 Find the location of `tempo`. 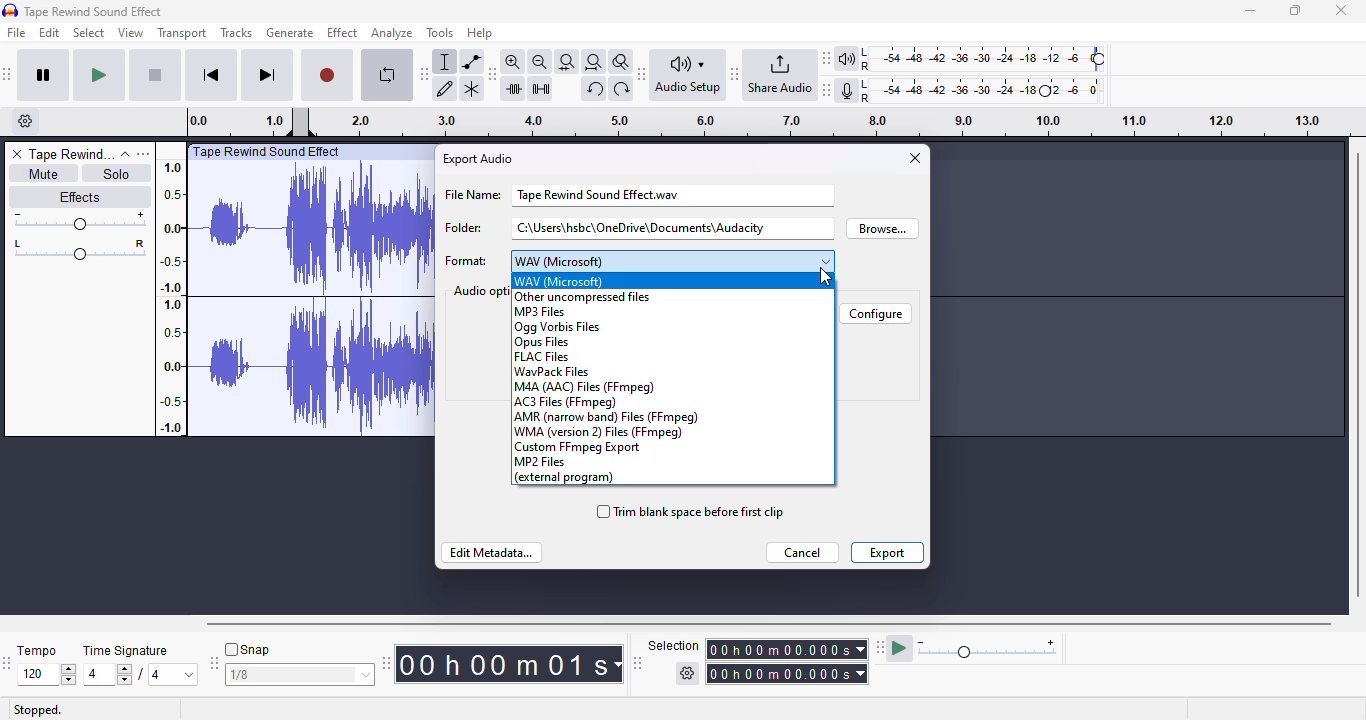

tempo is located at coordinates (49, 666).